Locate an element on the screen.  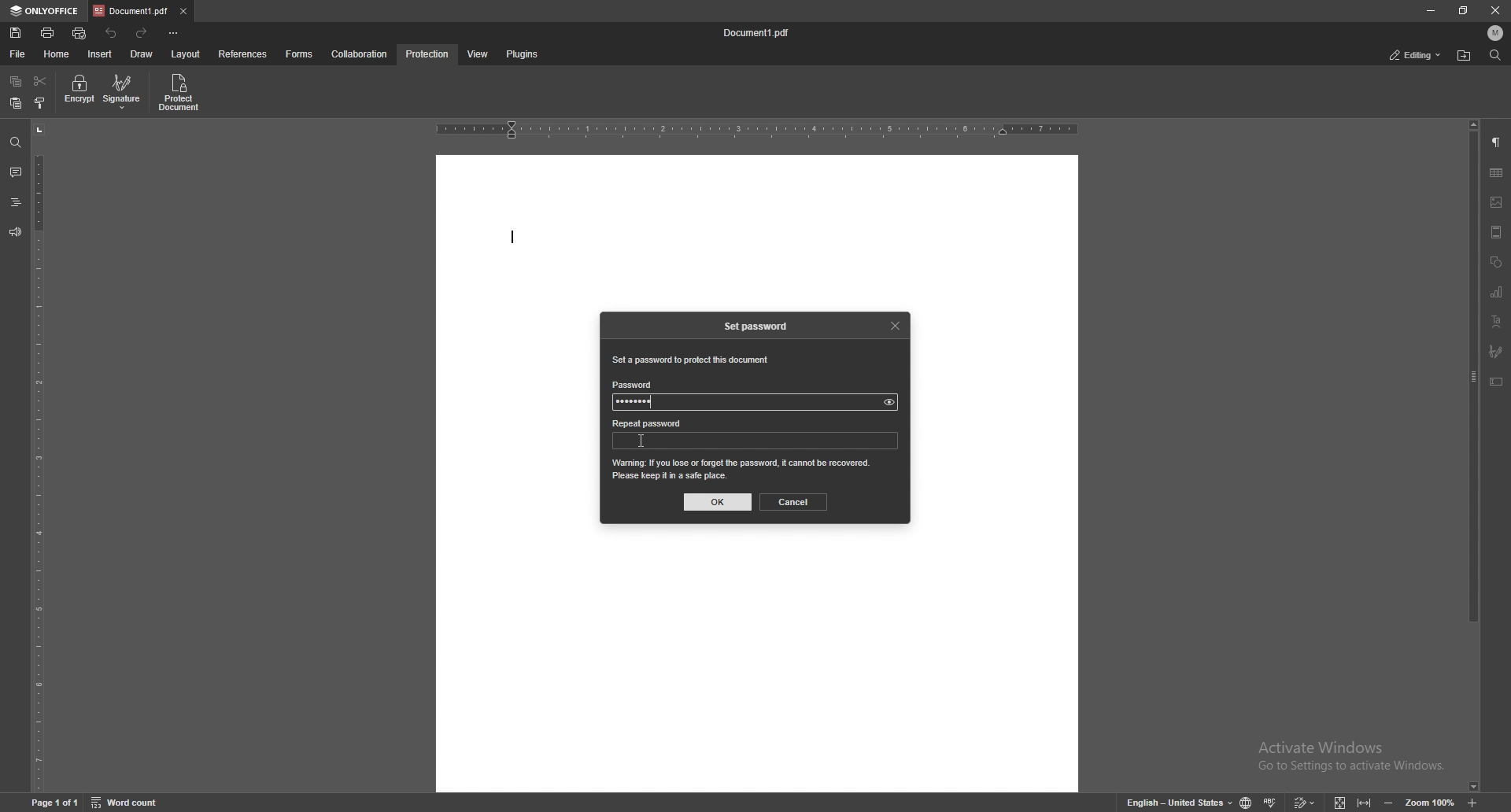
layout is located at coordinates (188, 54).